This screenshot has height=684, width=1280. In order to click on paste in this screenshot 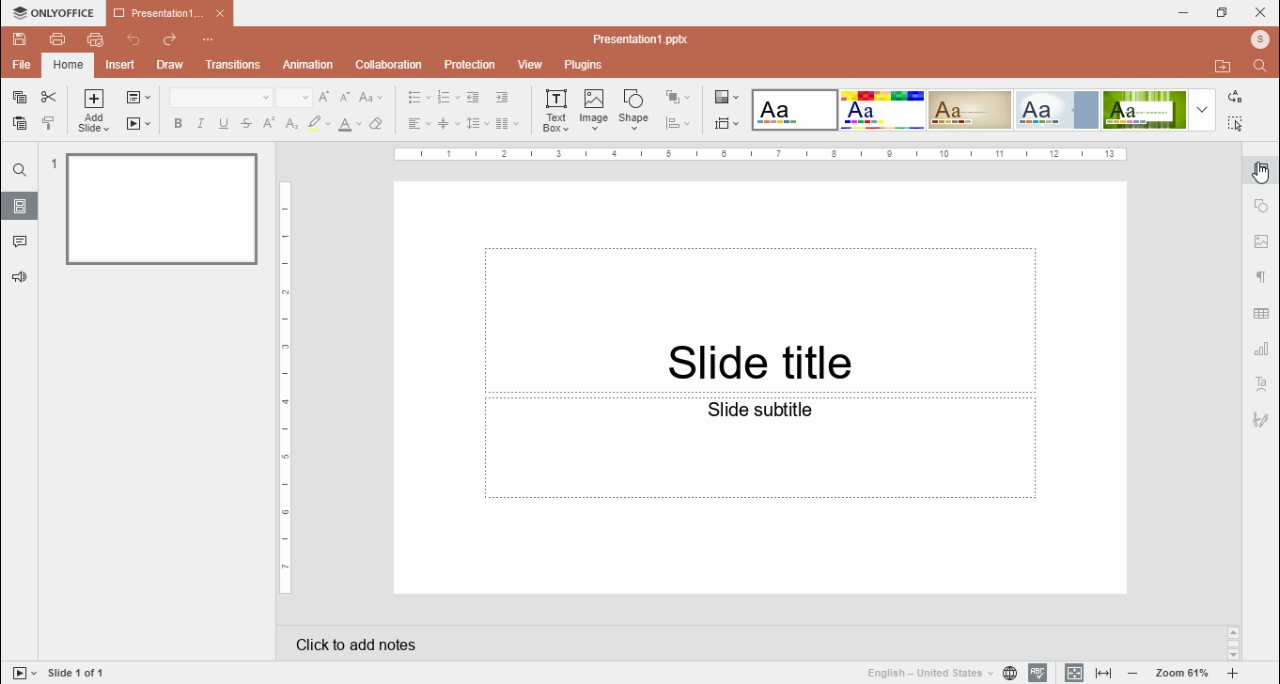, I will do `click(19, 123)`.